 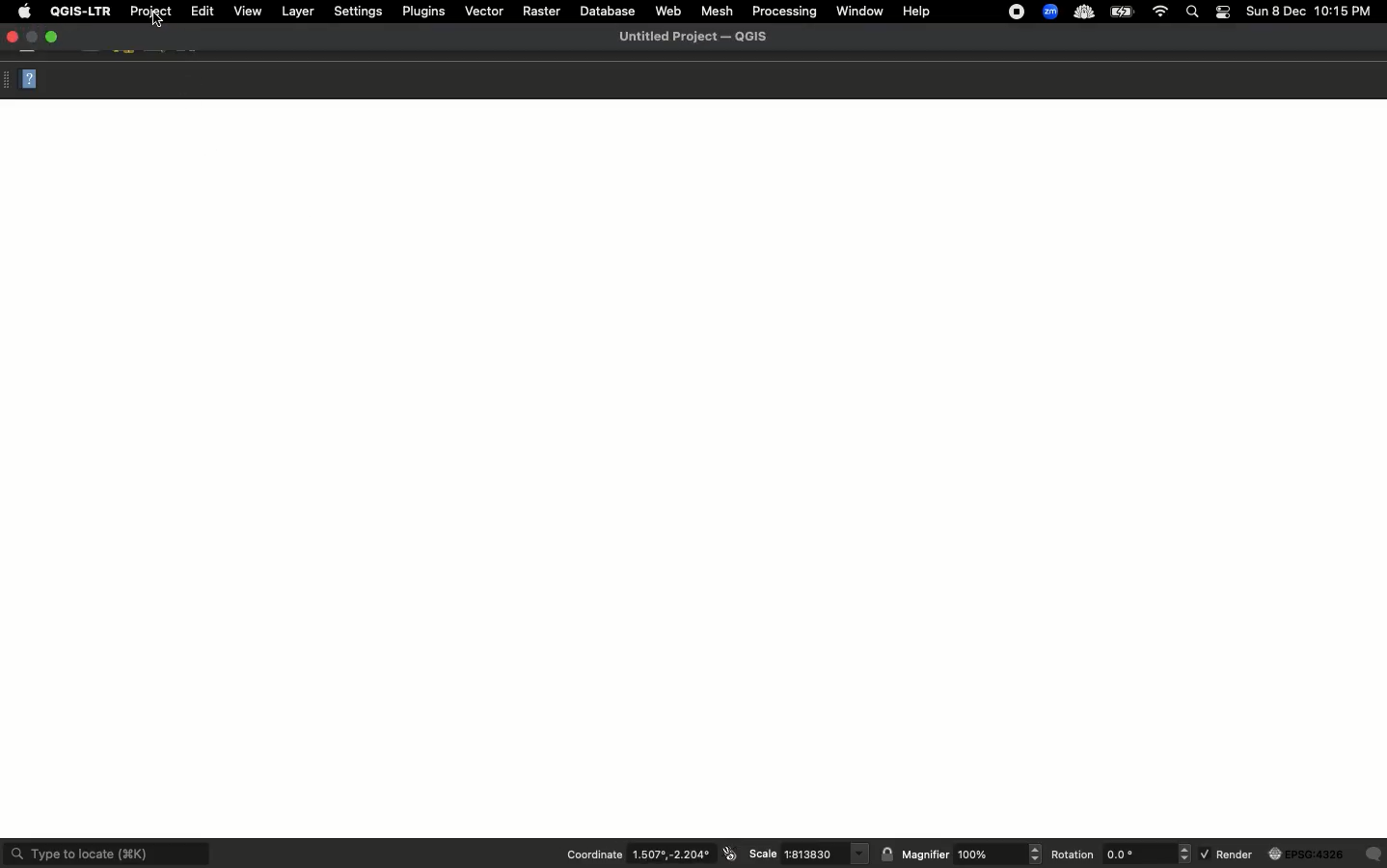 What do you see at coordinates (358, 11) in the screenshot?
I see `Settings` at bounding box center [358, 11].